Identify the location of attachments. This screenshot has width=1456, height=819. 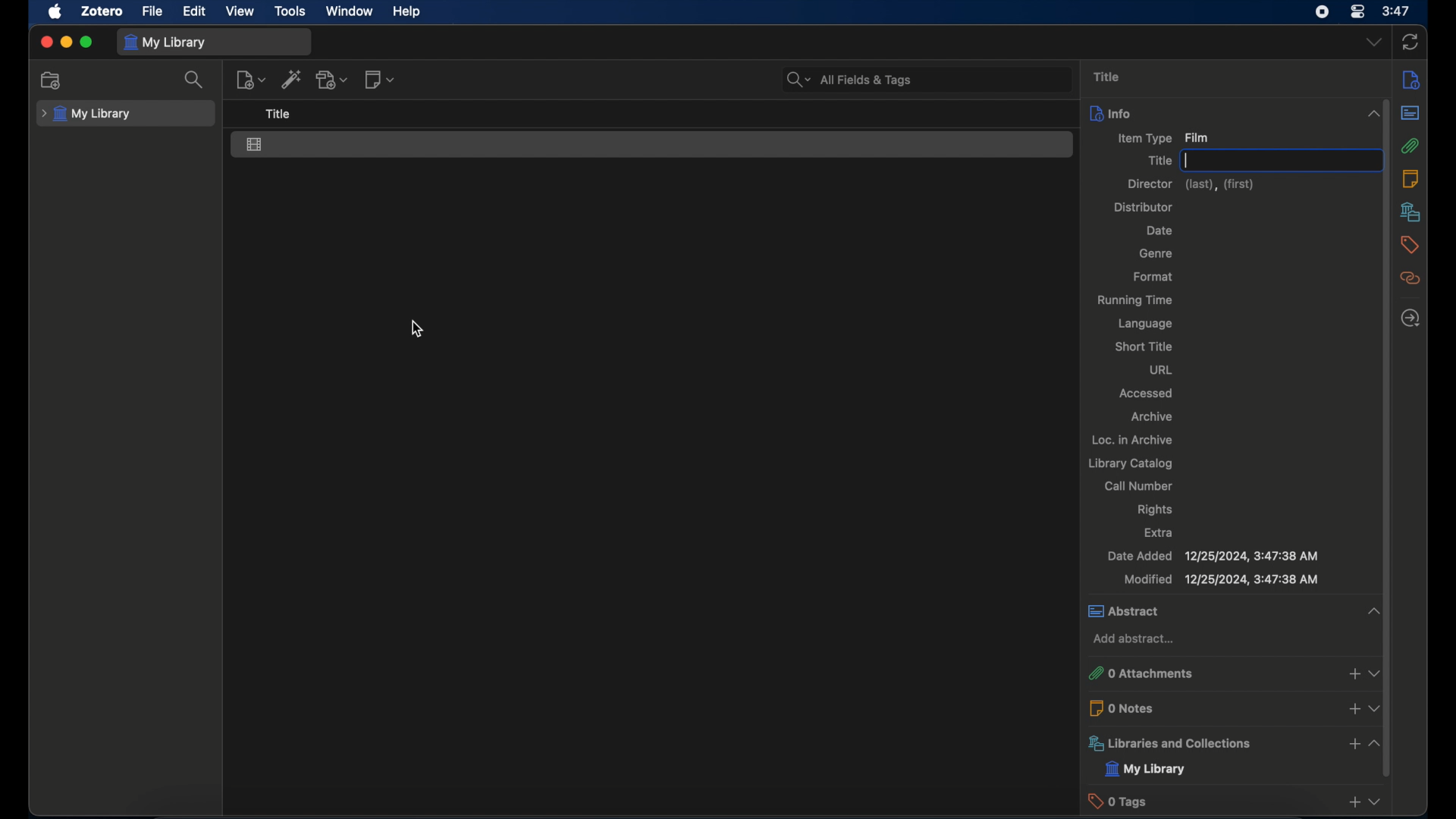
(1411, 146).